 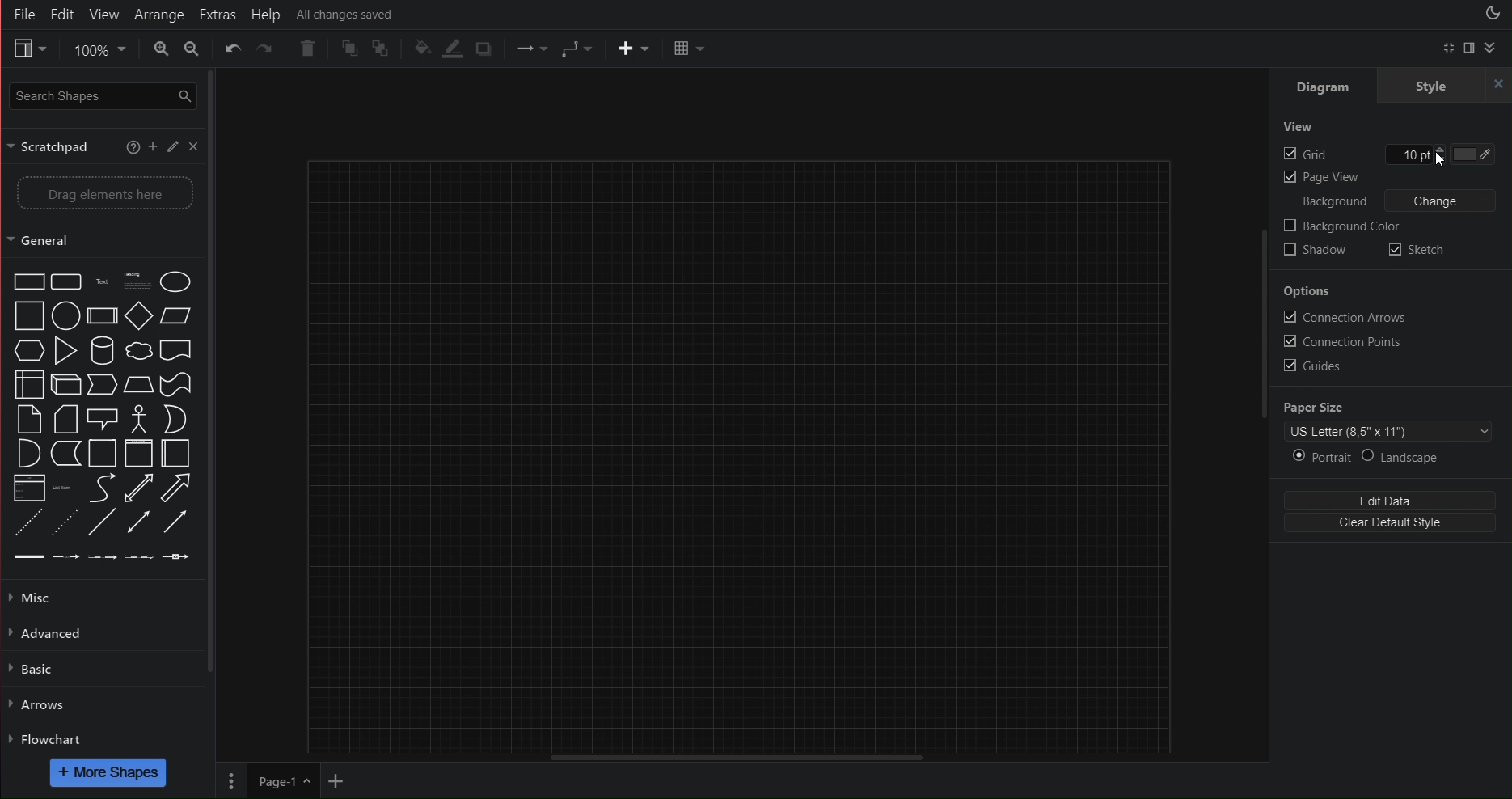 I want to click on Scrollbar, so click(x=1261, y=362).